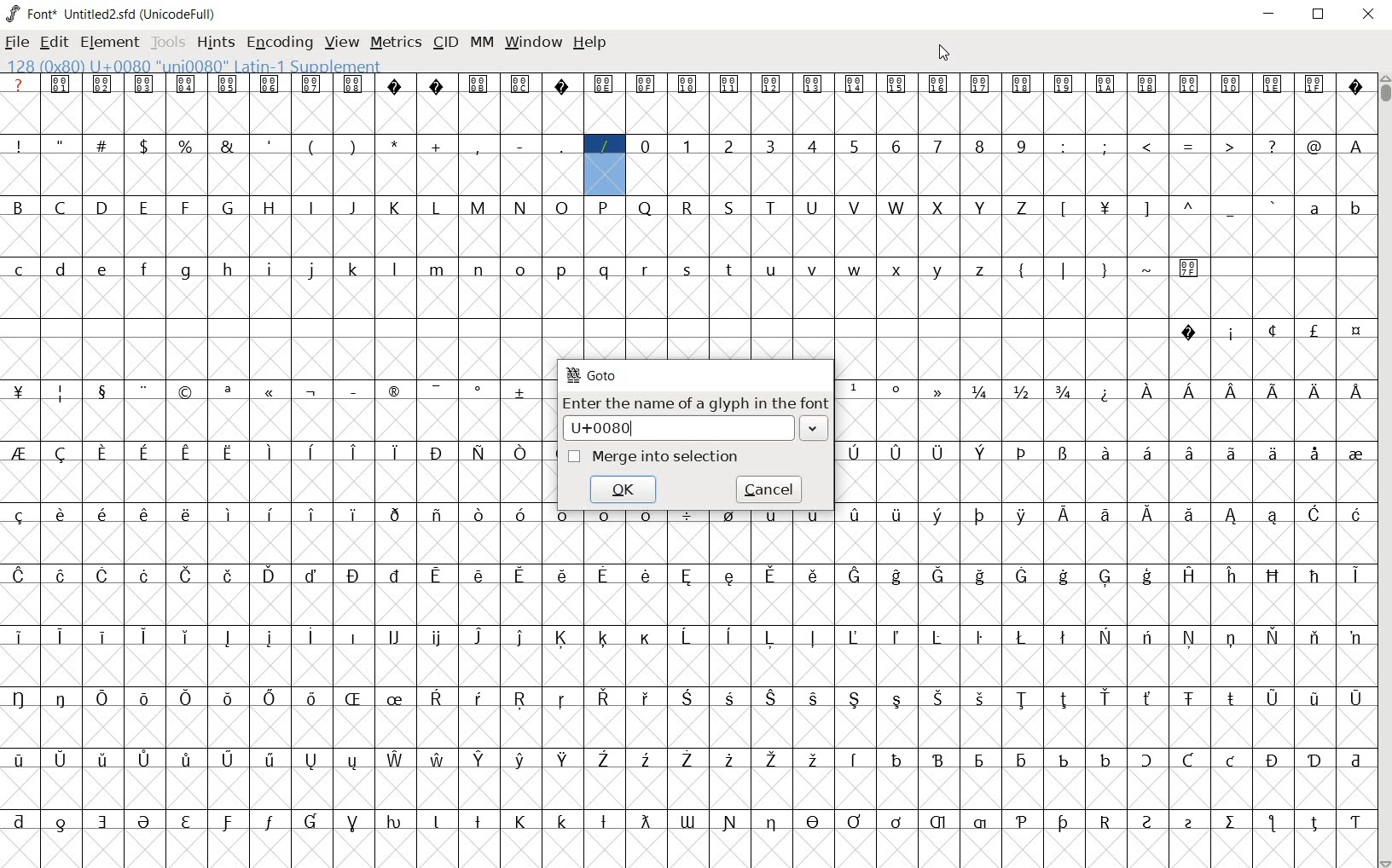  Describe the element at coordinates (1273, 84) in the screenshot. I see `glyph` at that location.